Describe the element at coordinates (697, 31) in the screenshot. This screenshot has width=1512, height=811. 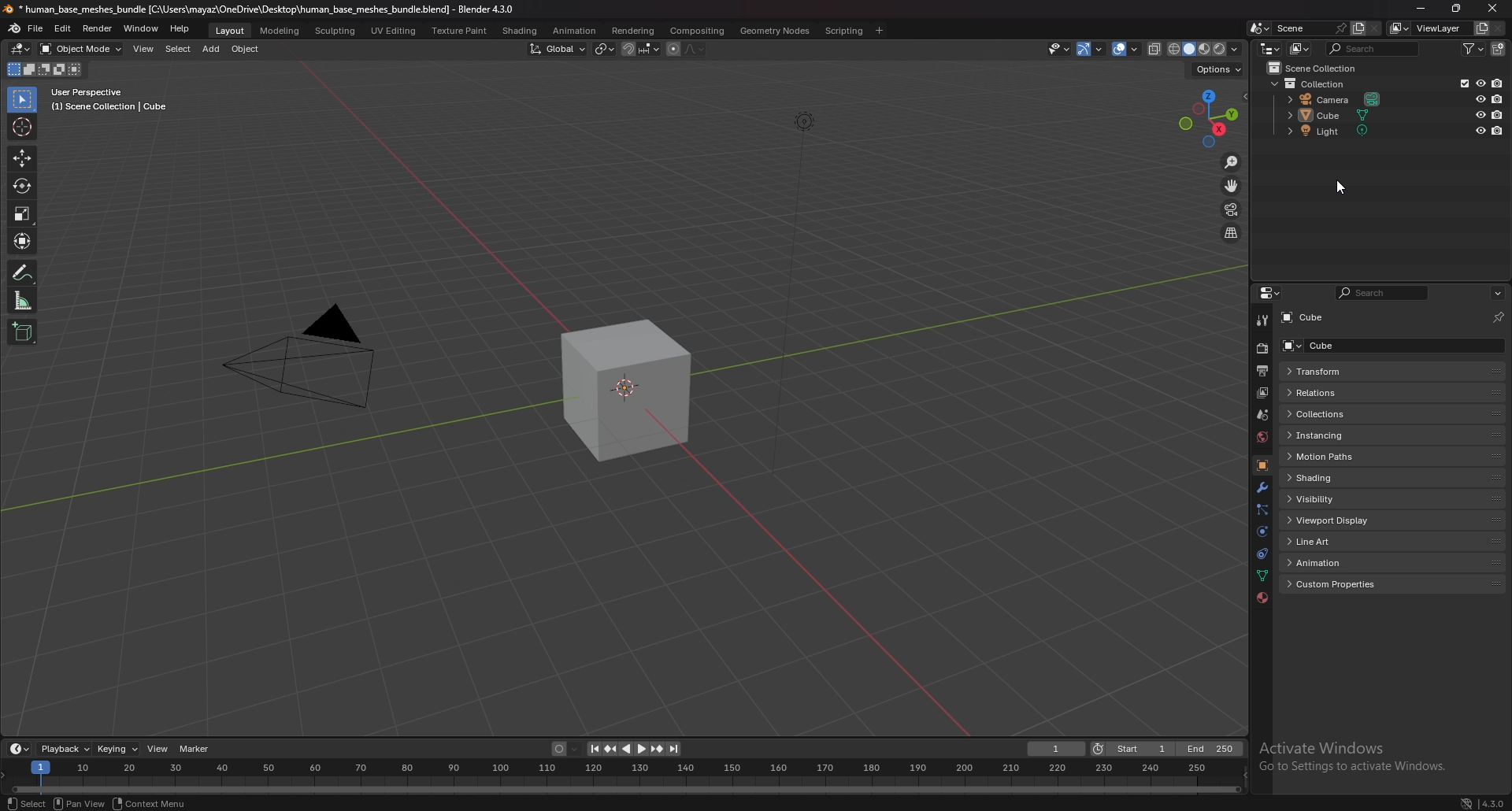
I see `compositing` at that location.